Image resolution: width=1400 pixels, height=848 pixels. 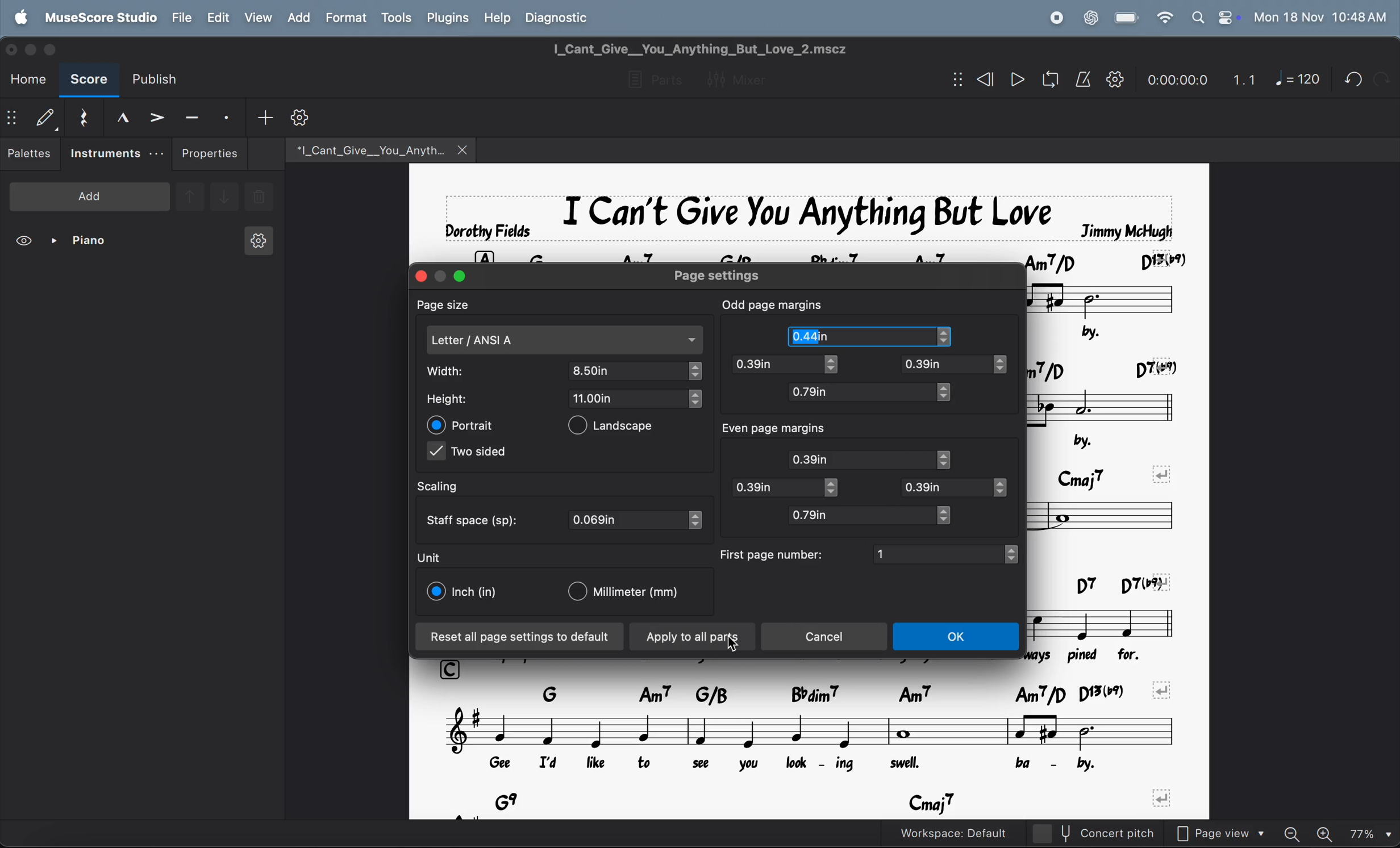 What do you see at coordinates (1320, 16) in the screenshot?
I see `date and time` at bounding box center [1320, 16].